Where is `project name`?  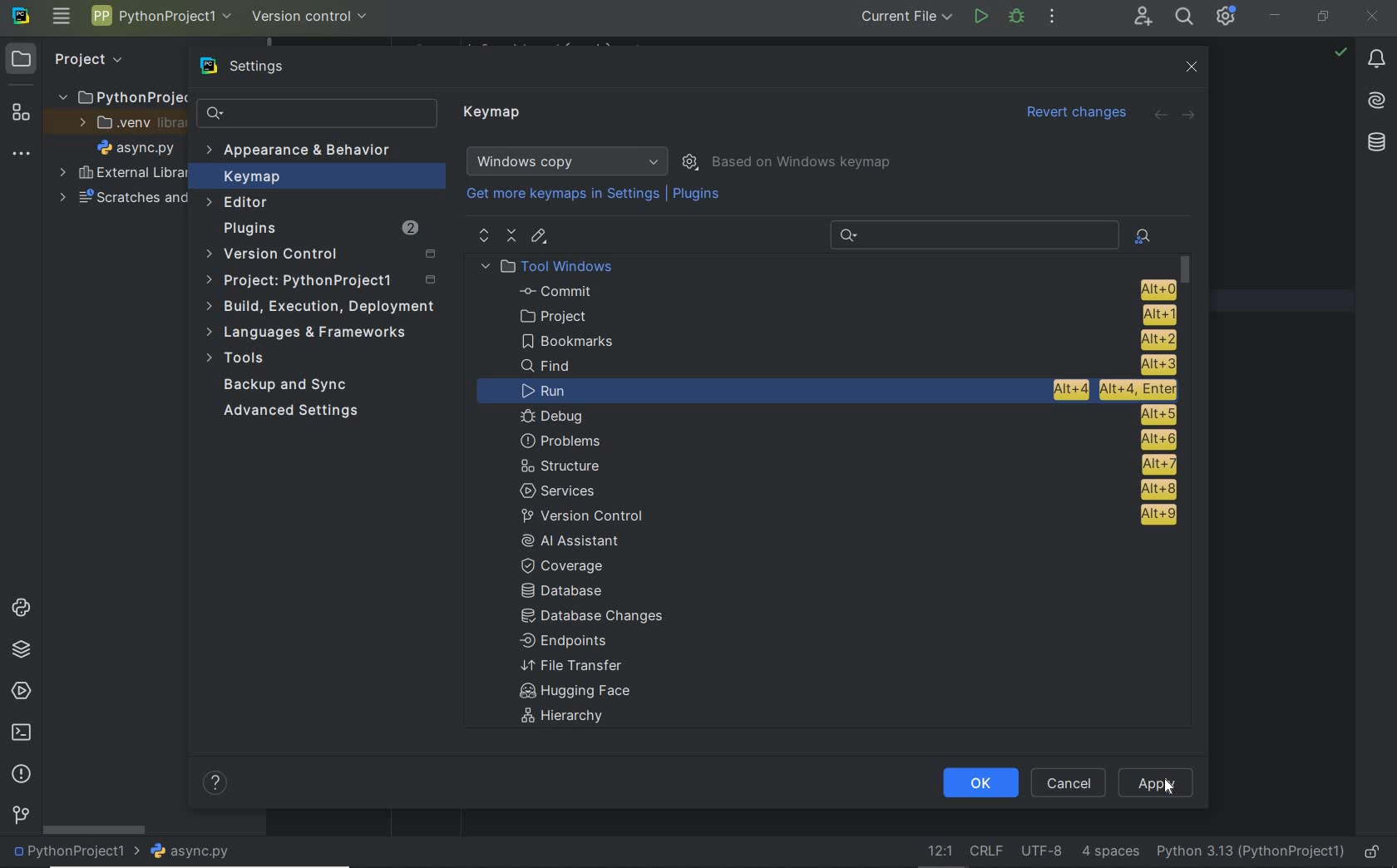
project name is located at coordinates (72, 853).